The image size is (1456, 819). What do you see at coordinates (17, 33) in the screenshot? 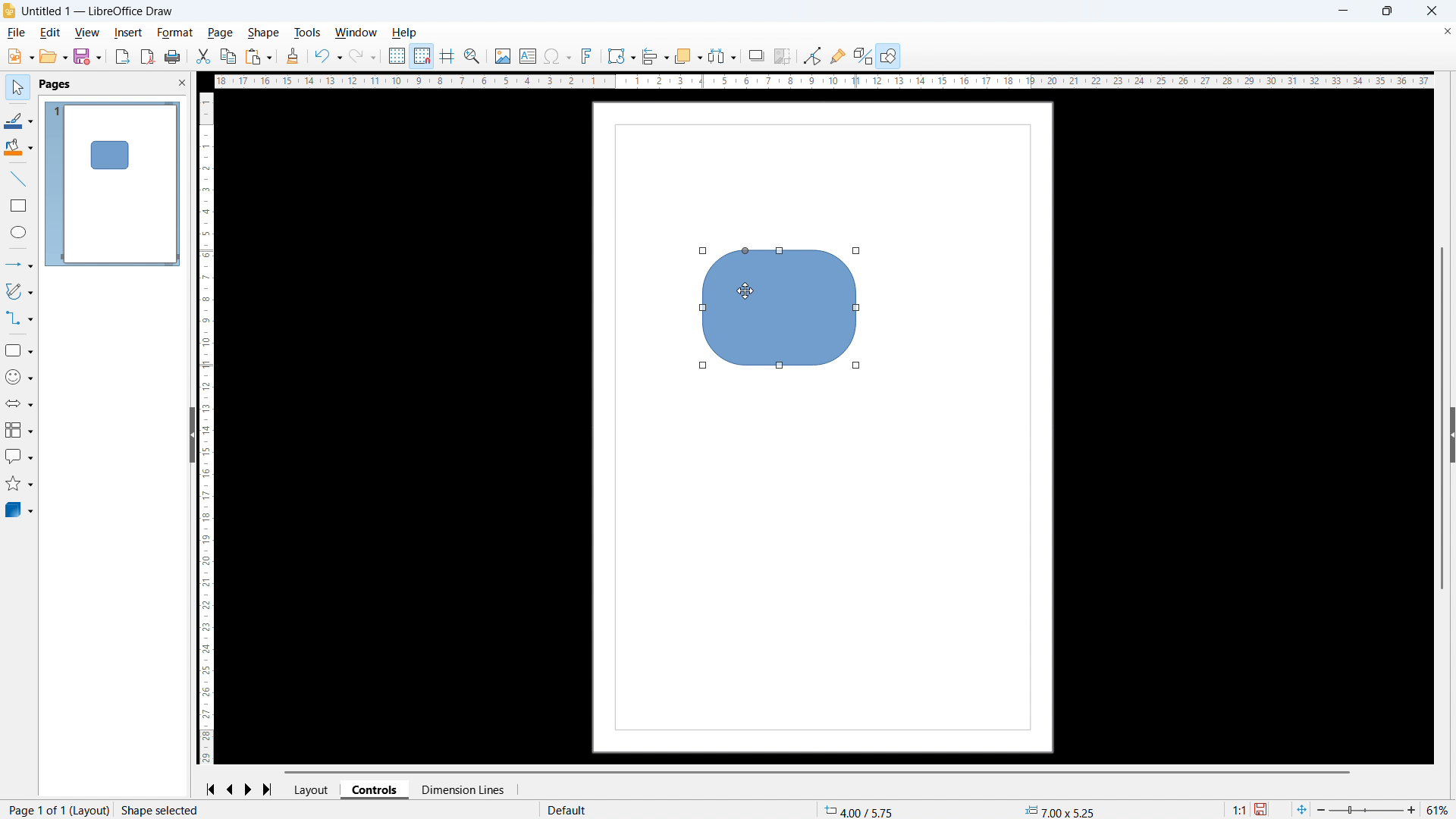
I see `File ` at bounding box center [17, 33].